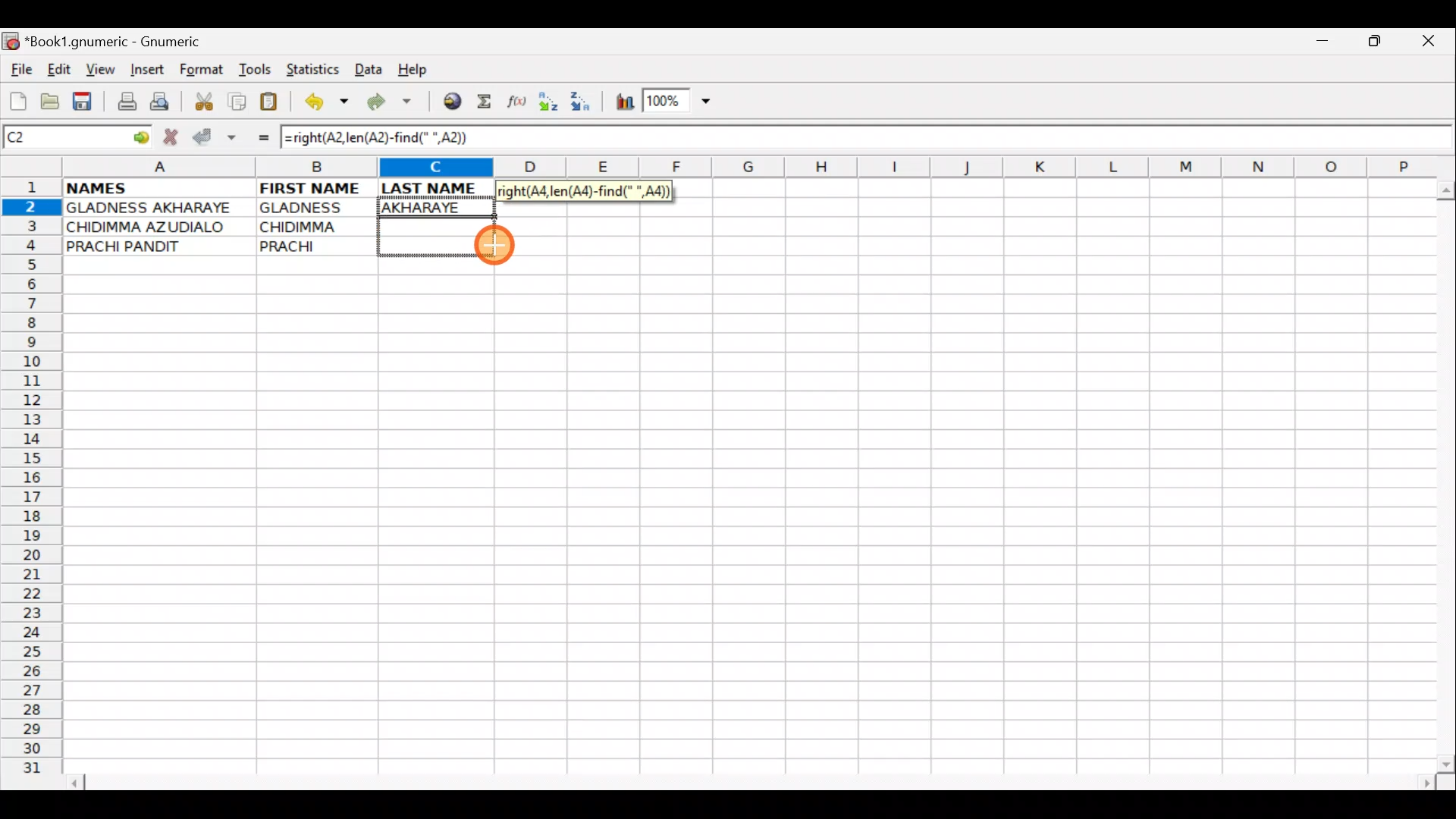  What do you see at coordinates (203, 99) in the screenshot?
I see `Cut selection` at bounding box center [203, 99].